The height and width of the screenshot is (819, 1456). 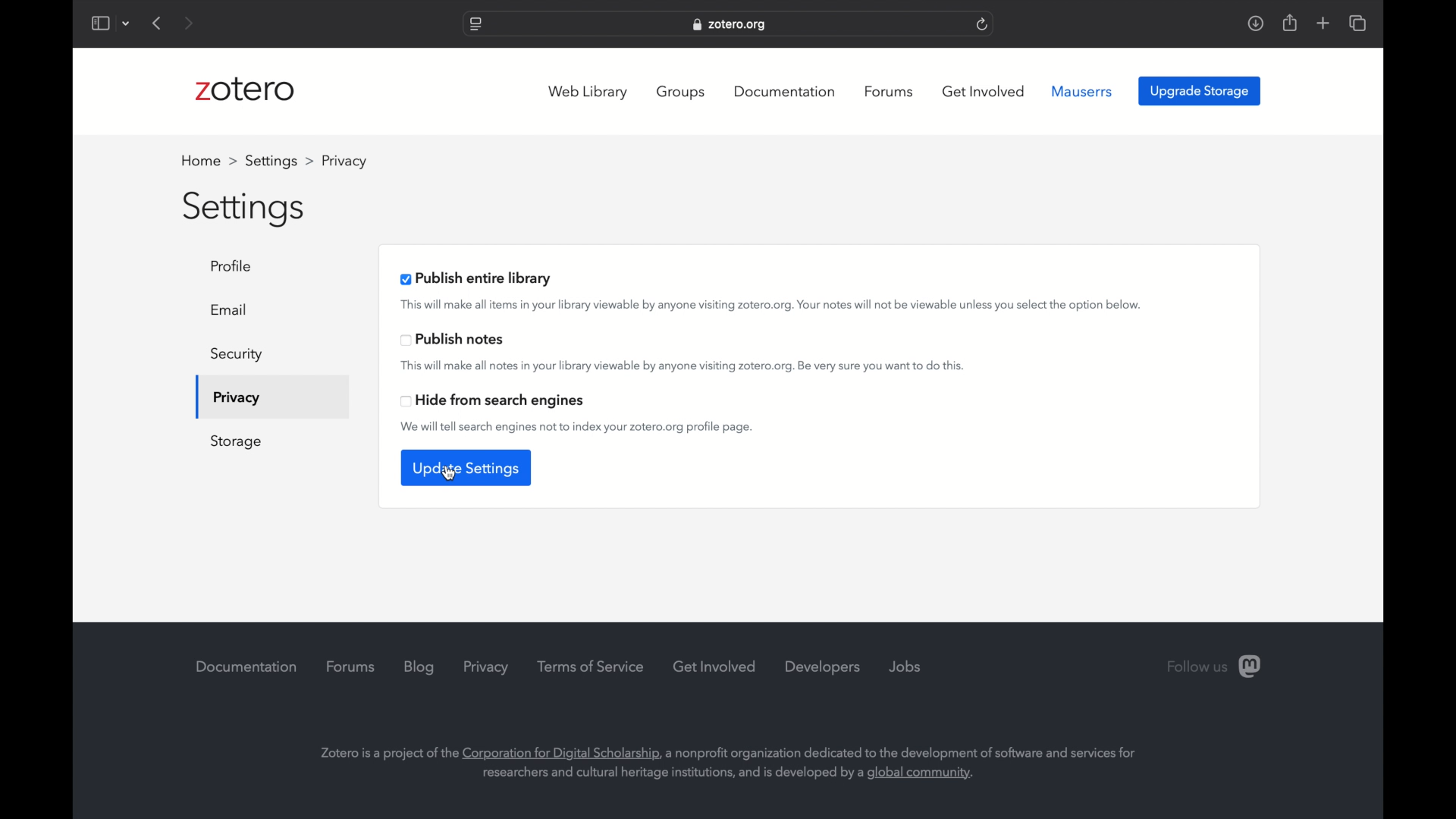 What do you see at coordinates (476, 25) in the screenshot?
I see `website settings` at bounding box center [476, 25].